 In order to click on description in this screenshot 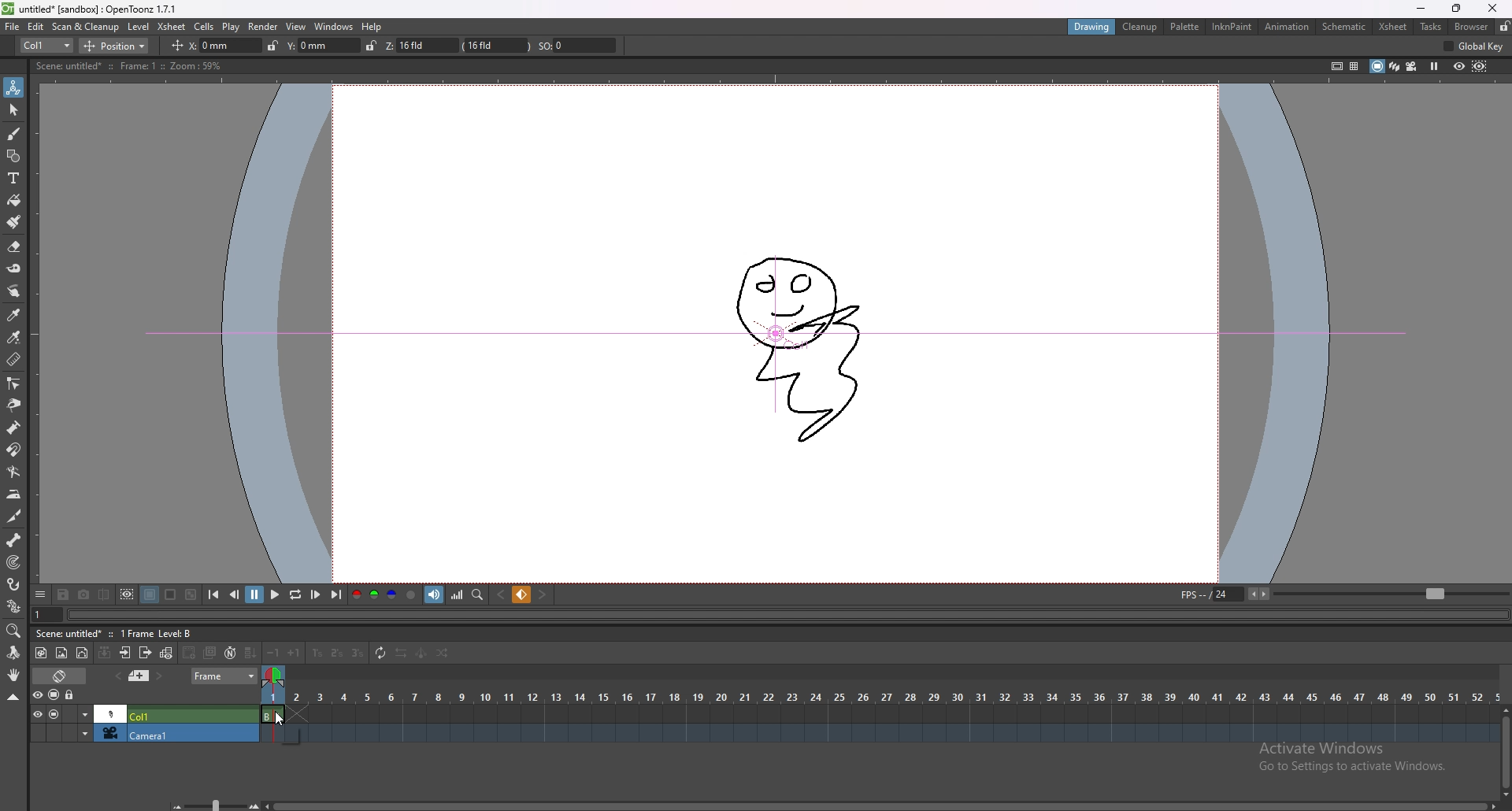, I will do `click(127, 65)`.